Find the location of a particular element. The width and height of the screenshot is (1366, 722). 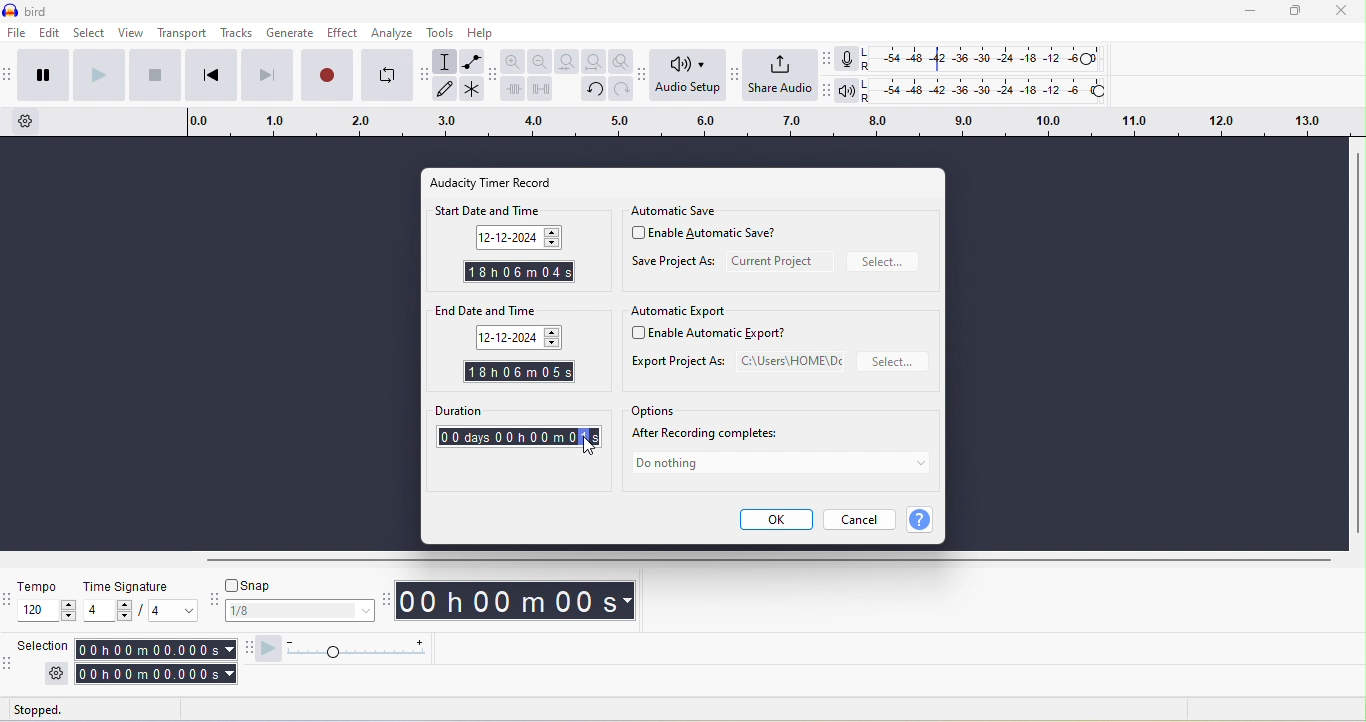

analyze is located at coordinates (392, 34).